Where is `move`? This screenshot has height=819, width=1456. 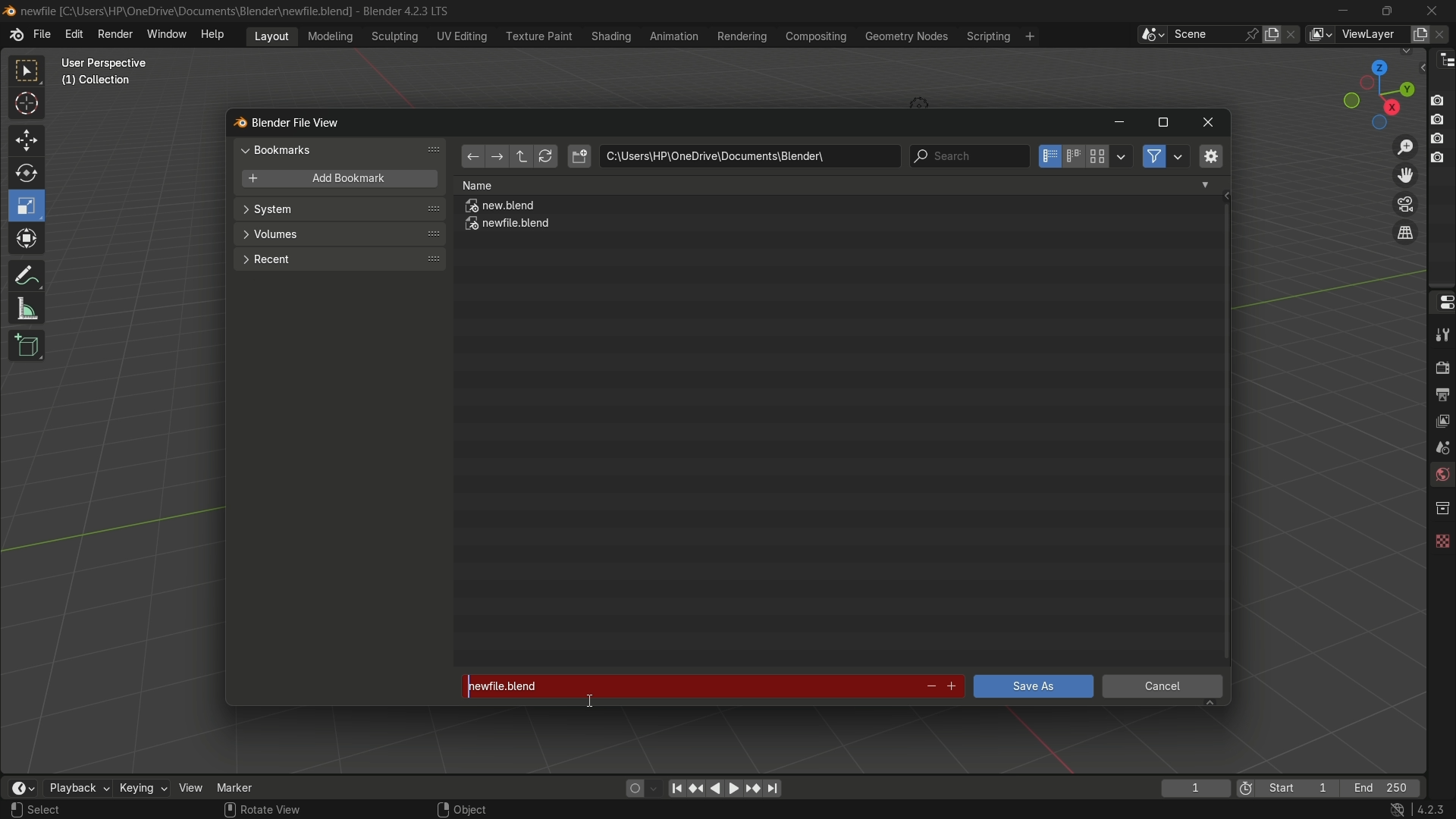 move is located at coordinates (25, 139).